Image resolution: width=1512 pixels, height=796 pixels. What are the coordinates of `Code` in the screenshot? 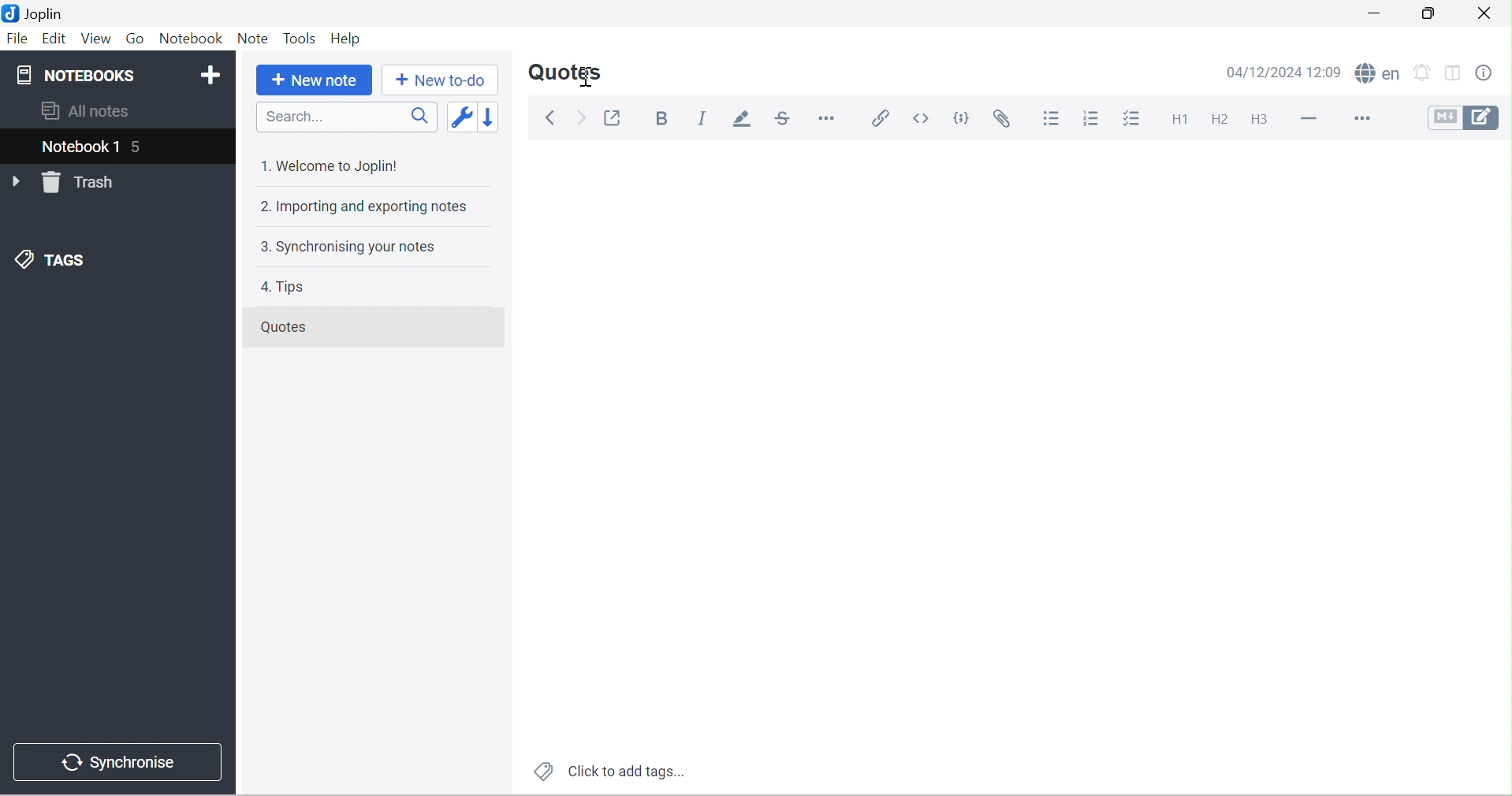 It's located at (962, 115).